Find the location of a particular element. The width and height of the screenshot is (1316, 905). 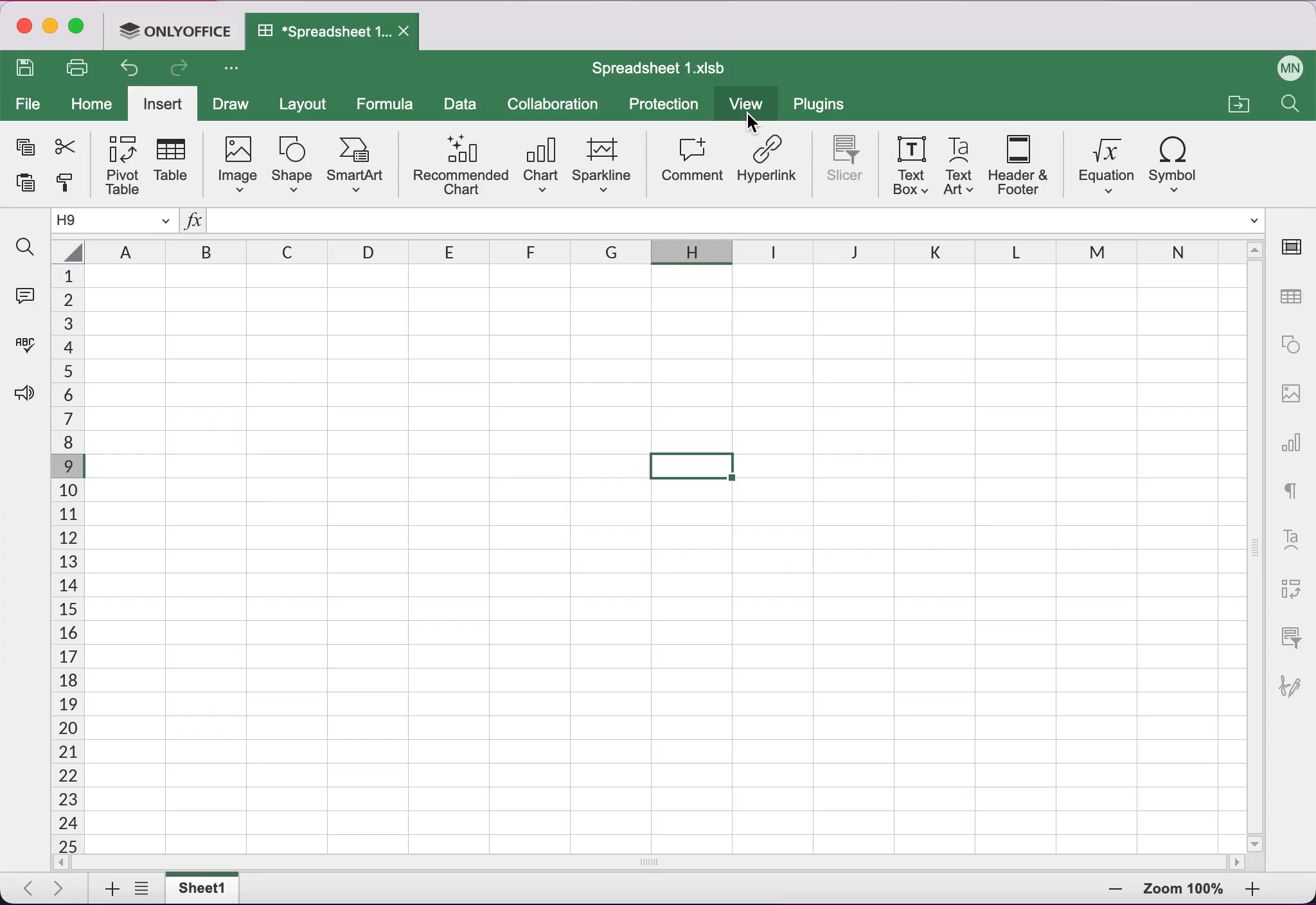

comment is located at coordinates (691, 161).